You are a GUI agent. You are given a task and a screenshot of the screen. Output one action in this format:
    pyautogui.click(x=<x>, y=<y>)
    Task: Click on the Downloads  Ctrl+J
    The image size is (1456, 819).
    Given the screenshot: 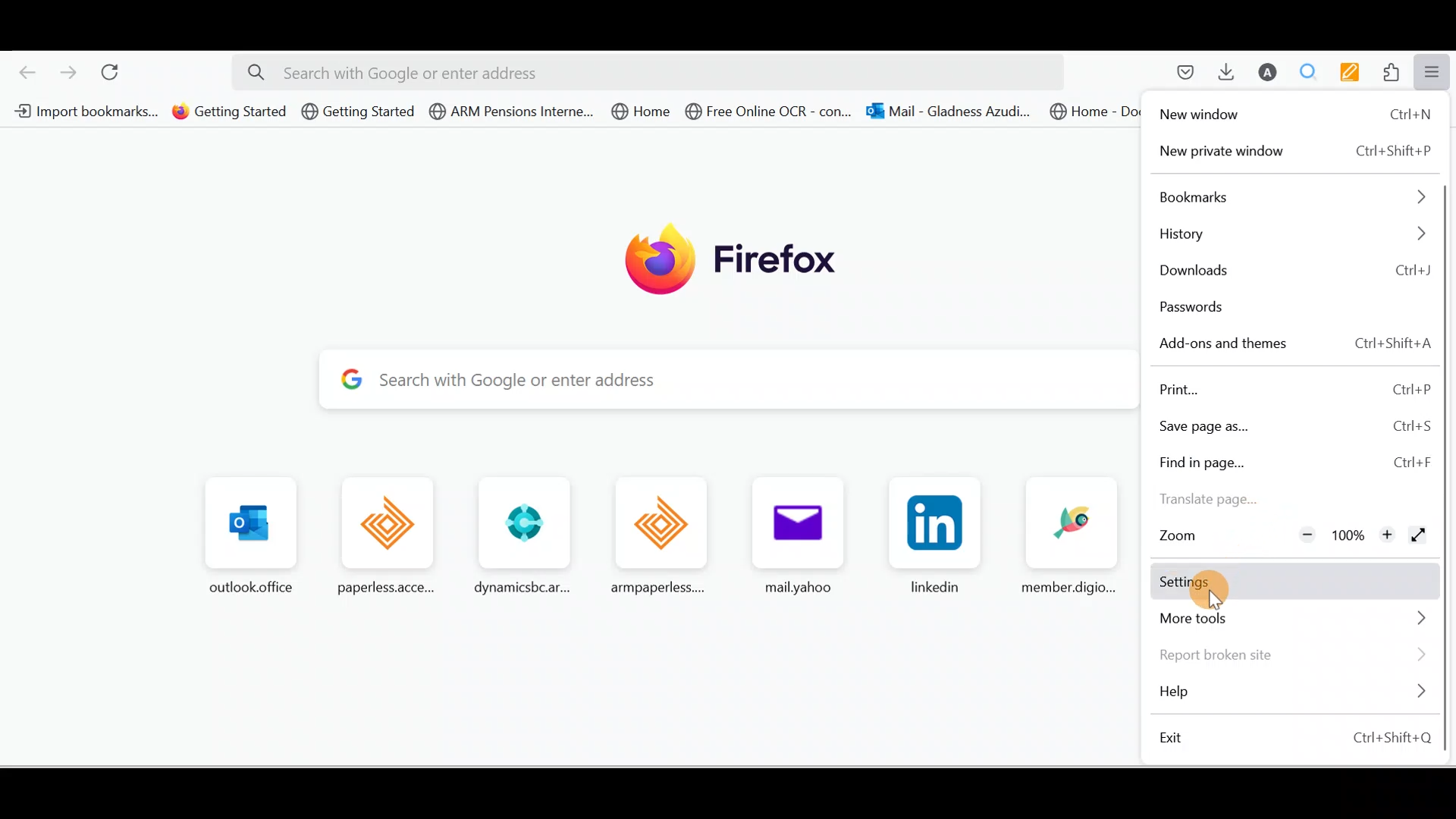 What is the action you would take?
    pyautogui.click(x=1294, y=271)
    